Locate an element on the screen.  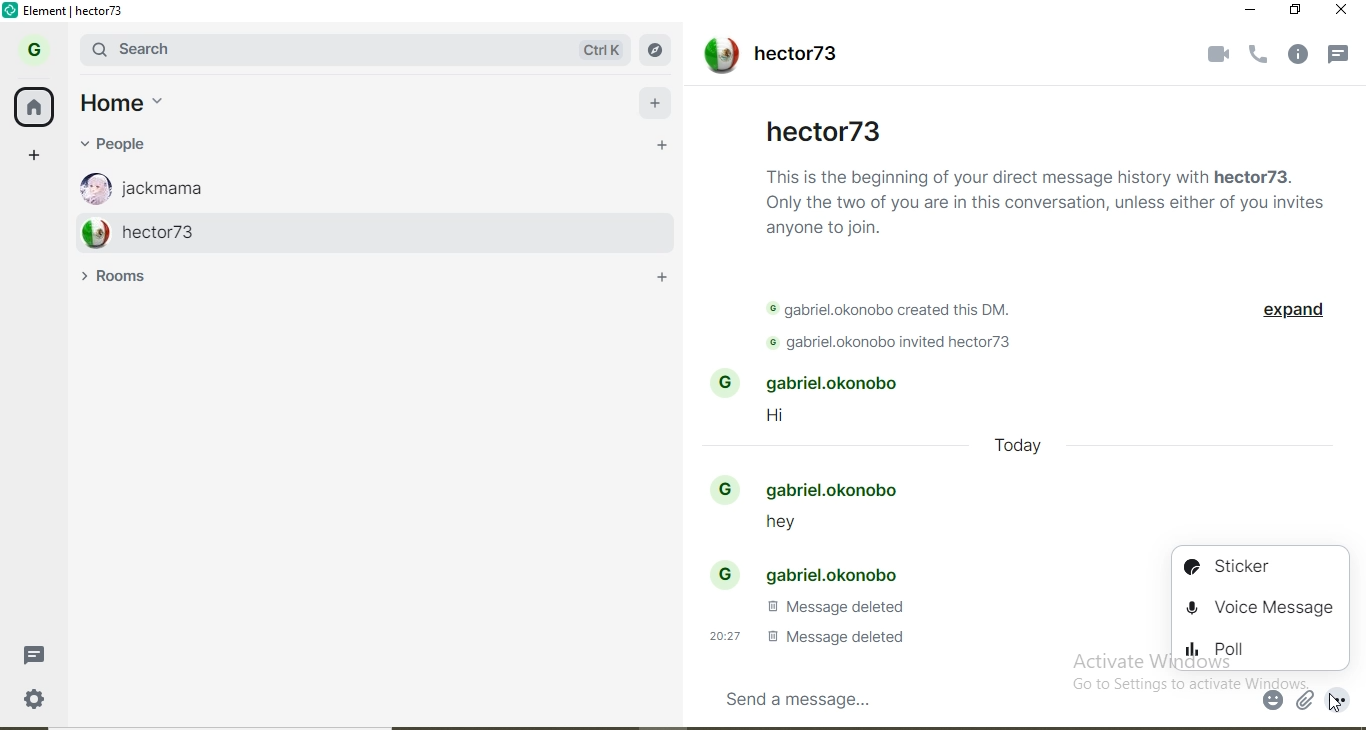
add is located at coordinates (657, 99).